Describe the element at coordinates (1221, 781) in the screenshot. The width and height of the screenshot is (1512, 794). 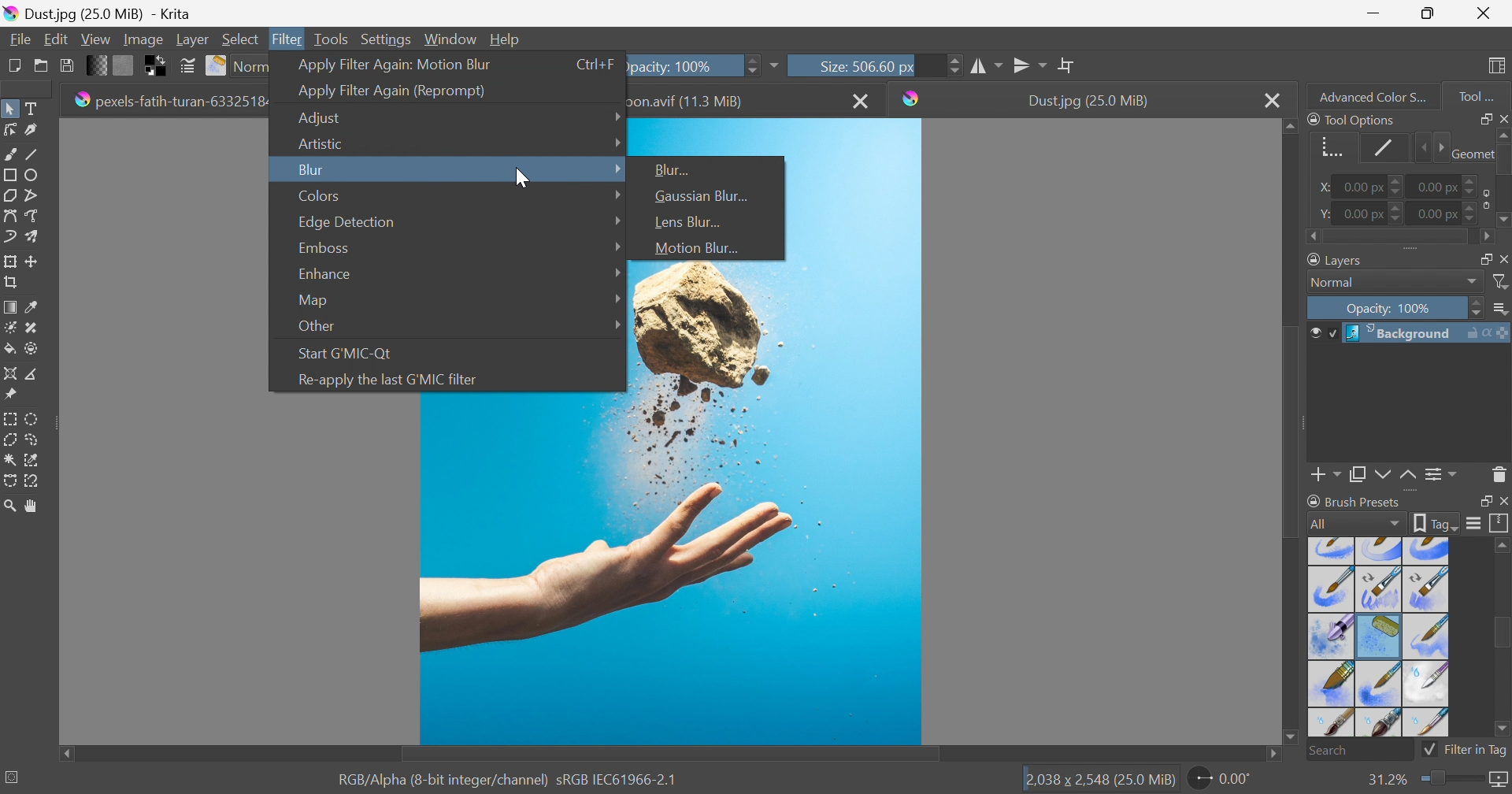
I see `0.00°` at that location.